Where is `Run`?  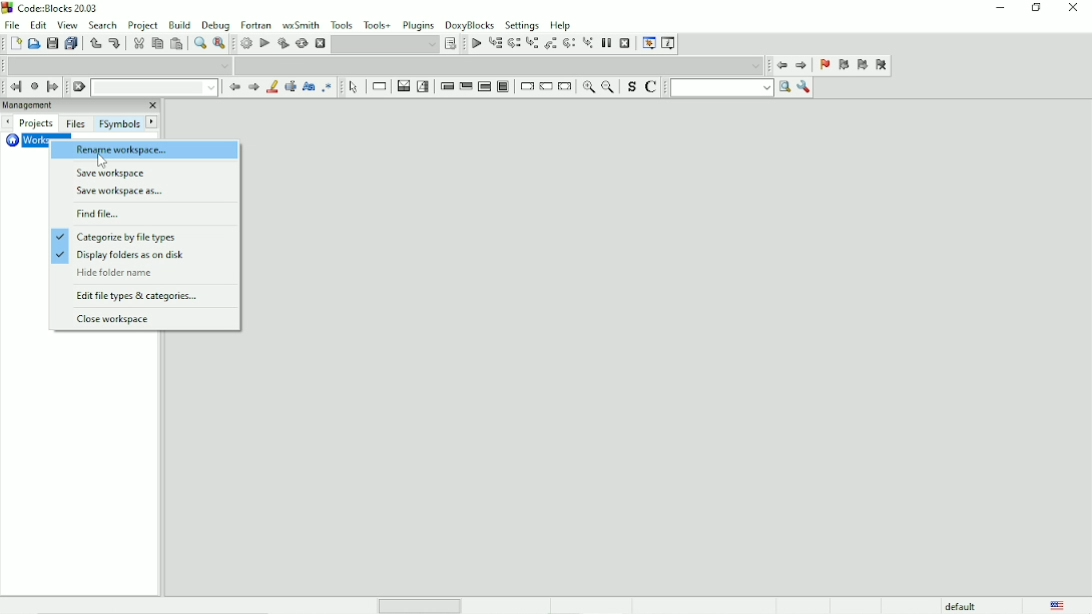 Run is located at coordinates (264, 43).